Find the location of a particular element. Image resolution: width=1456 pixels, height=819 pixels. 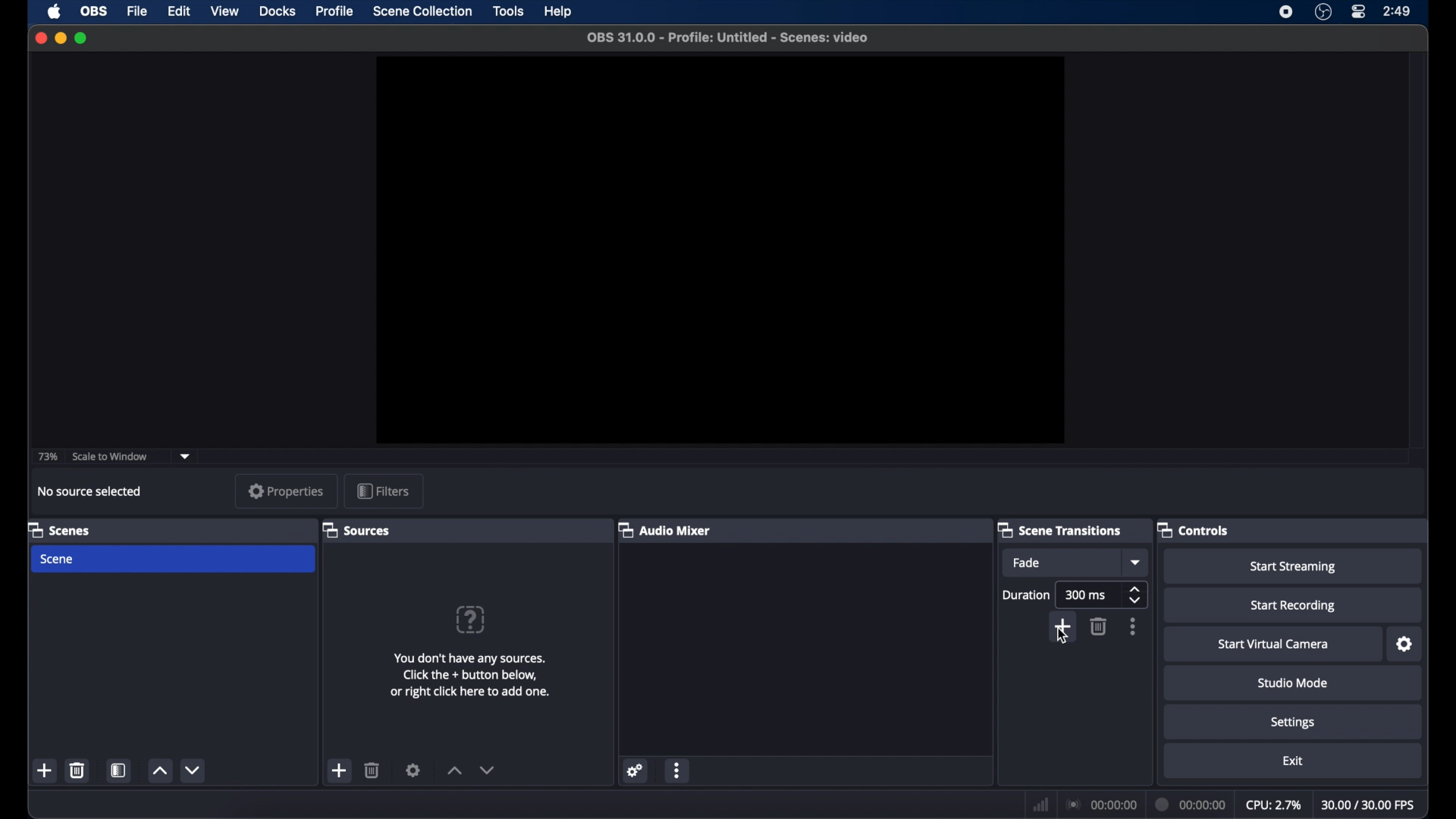

time is located at coordinates (1398, 11).